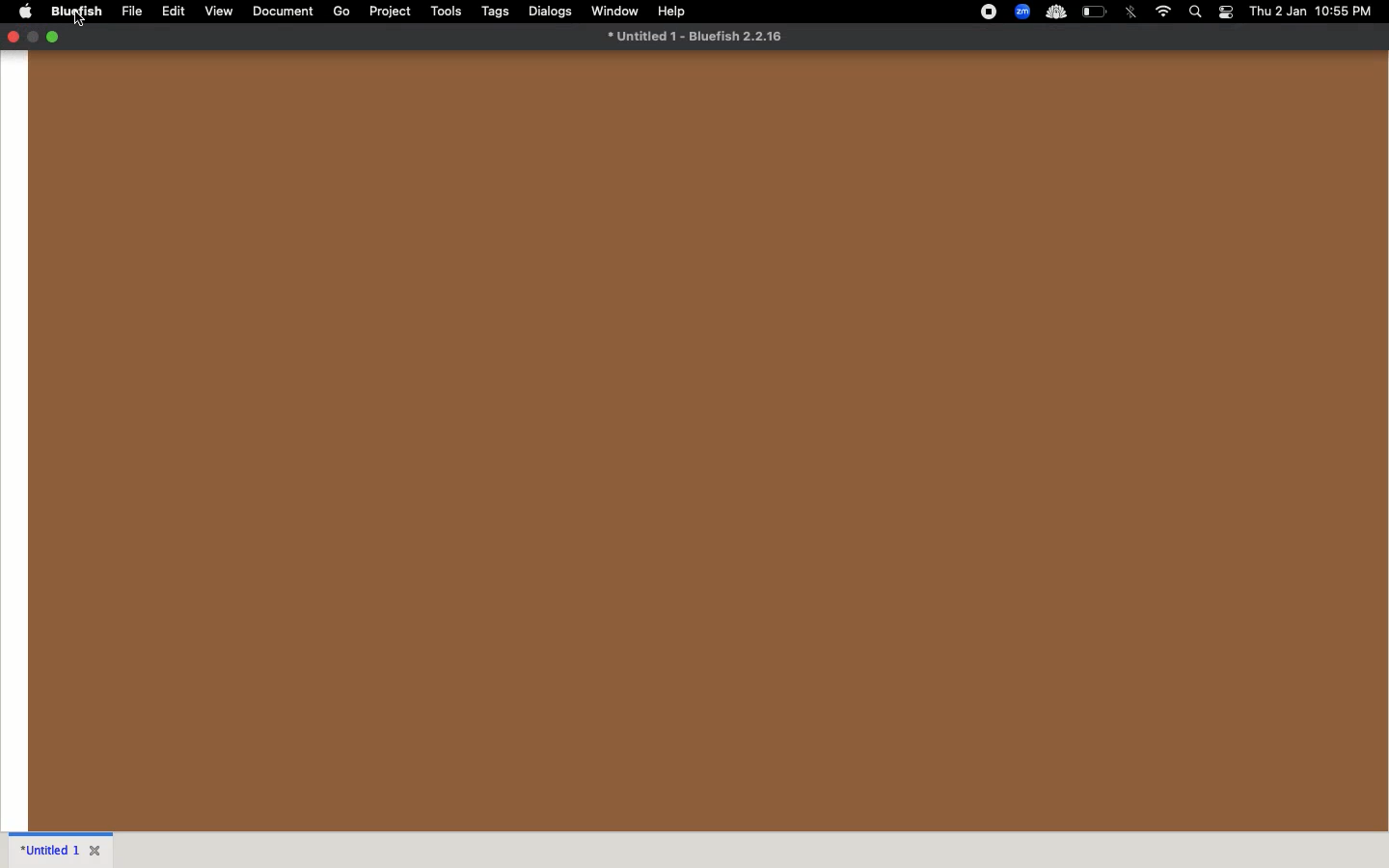 The width and height of the screenshot is (1389, 868). I want to click on apple, so click(26, 11).